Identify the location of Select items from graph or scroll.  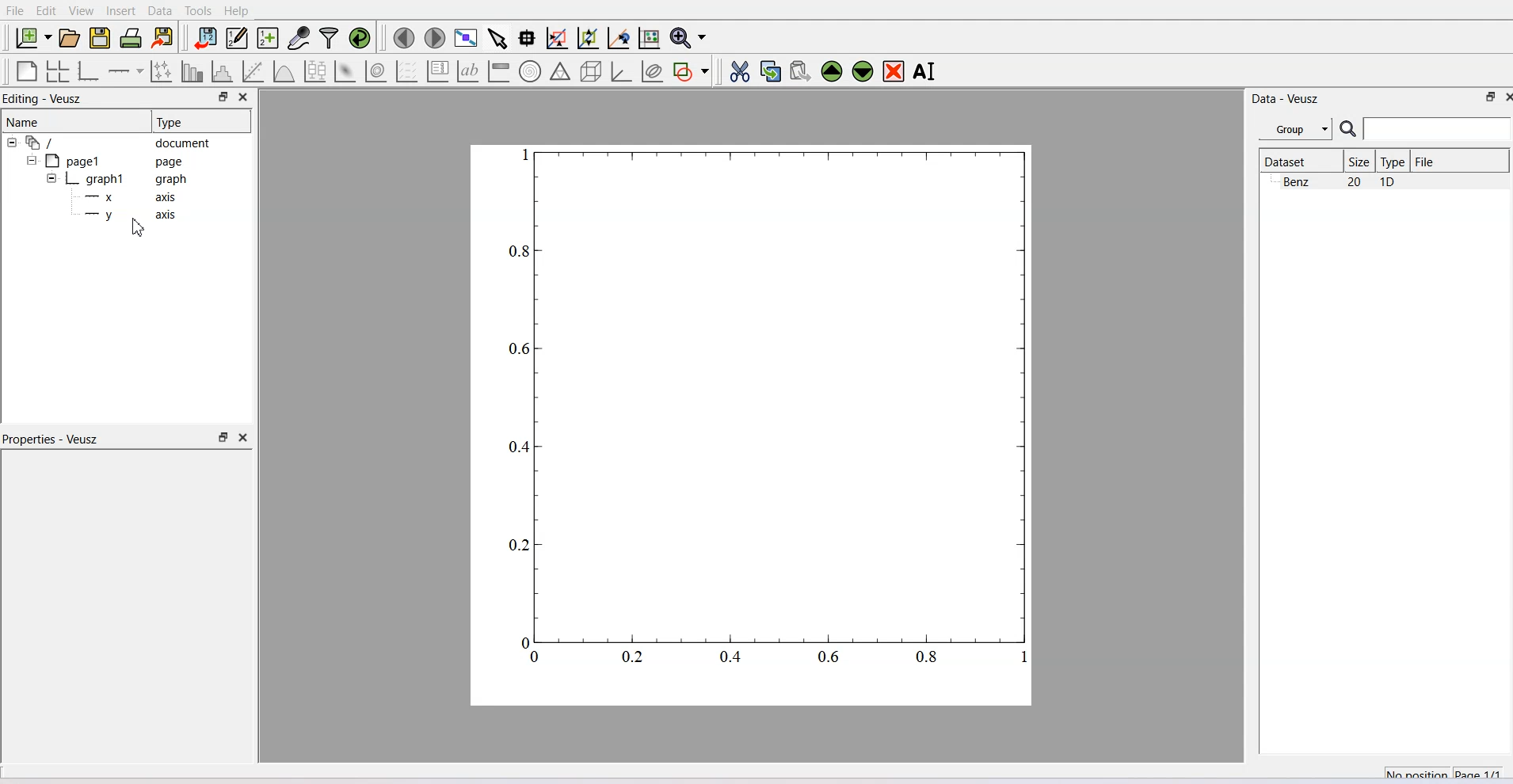
(498, 39).